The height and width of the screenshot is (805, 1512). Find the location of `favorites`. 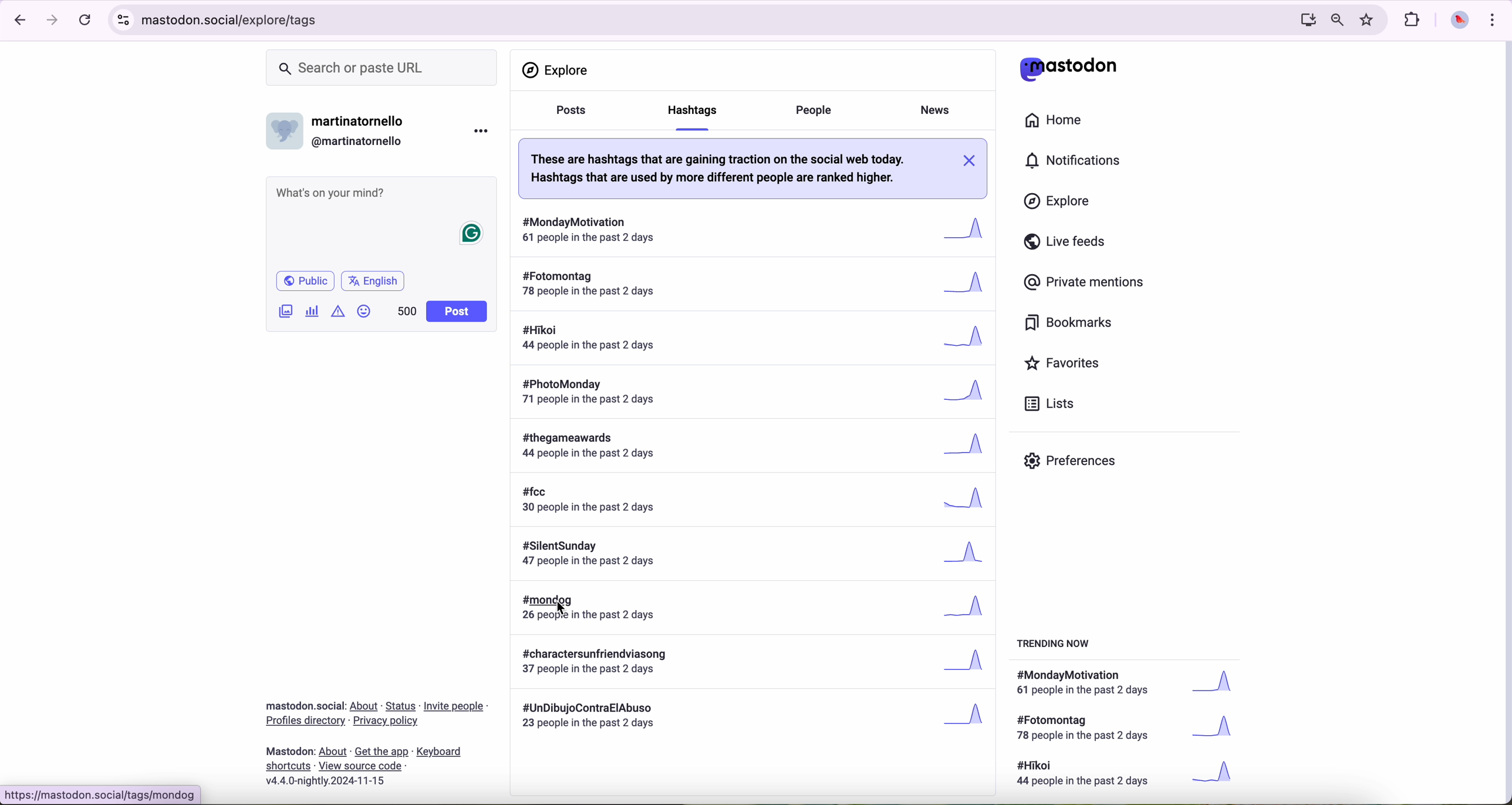

favorites is located at coordinates (1368, 19).